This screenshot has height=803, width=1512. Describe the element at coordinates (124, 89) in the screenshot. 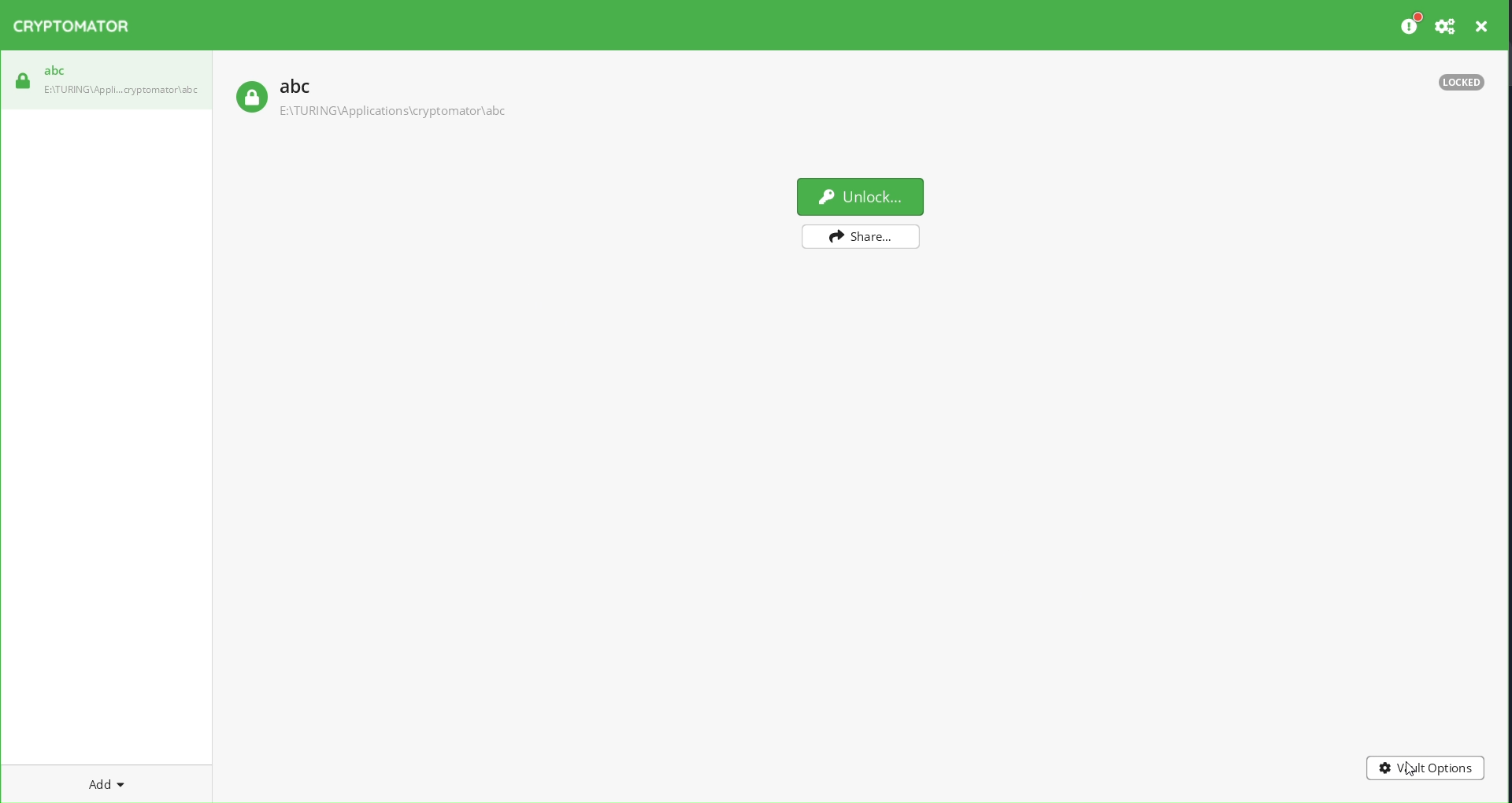

I see `path` at that location.